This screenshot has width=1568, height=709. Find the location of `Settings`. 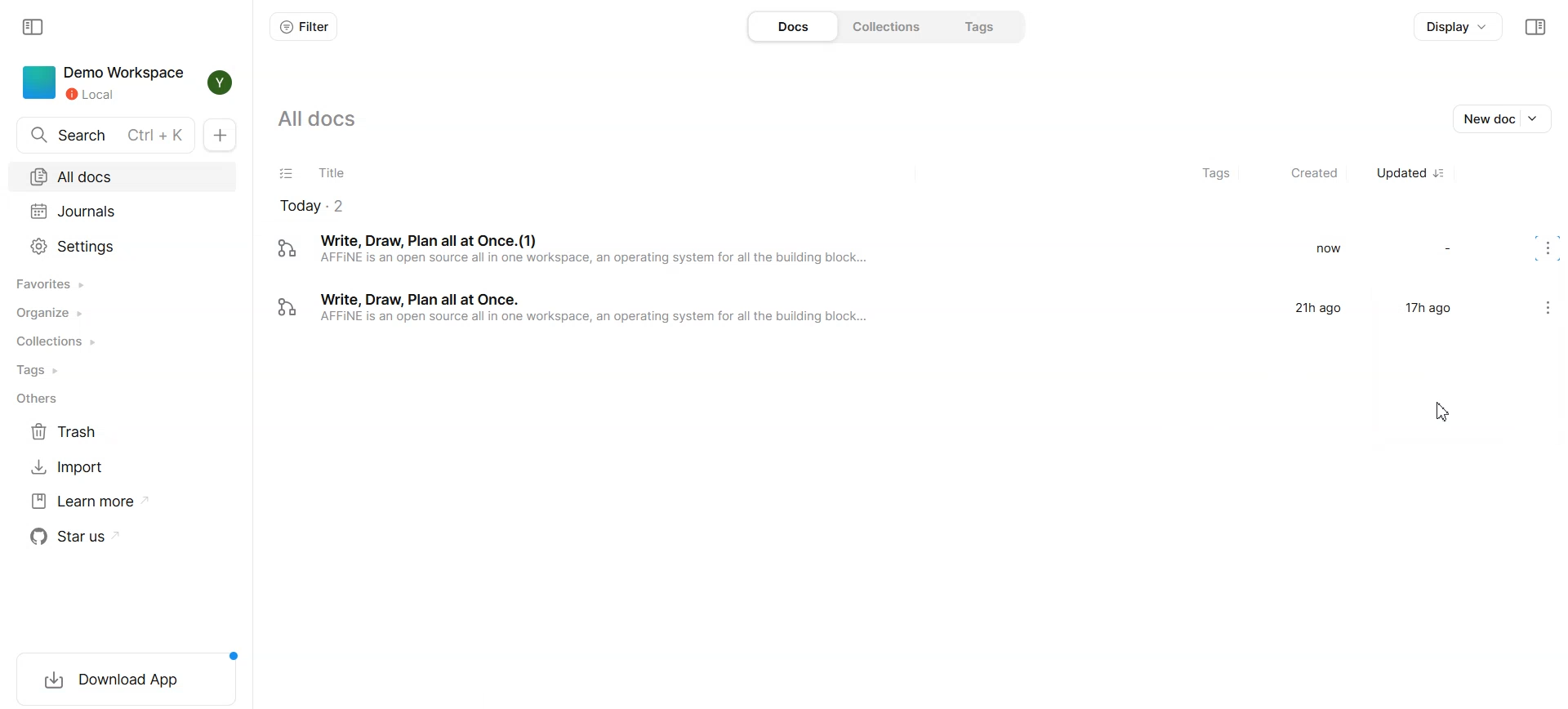

Settings is located at coordinates (1552, 250).